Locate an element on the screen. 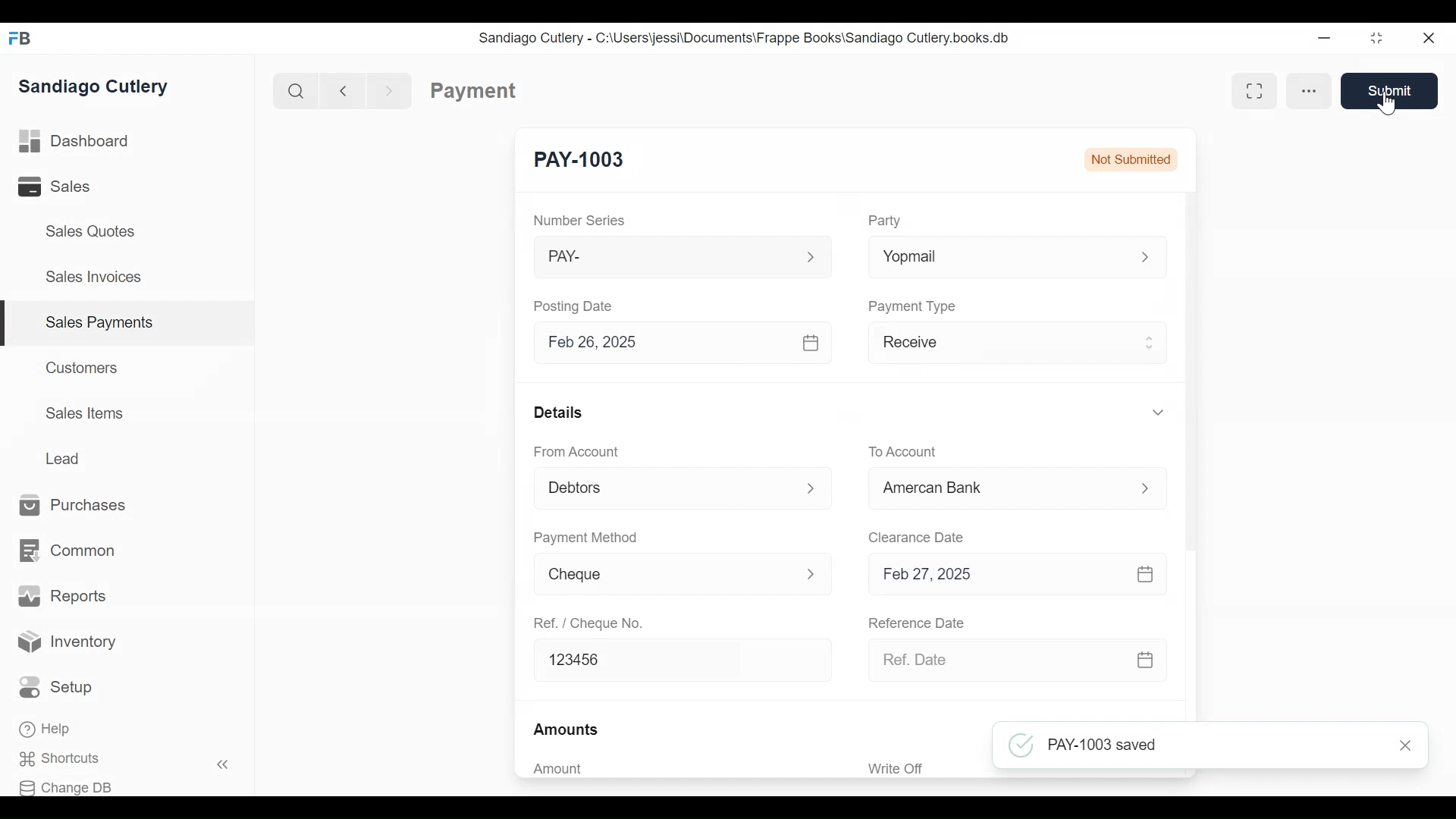  Navigate Back is located at coordinates (340, 90).